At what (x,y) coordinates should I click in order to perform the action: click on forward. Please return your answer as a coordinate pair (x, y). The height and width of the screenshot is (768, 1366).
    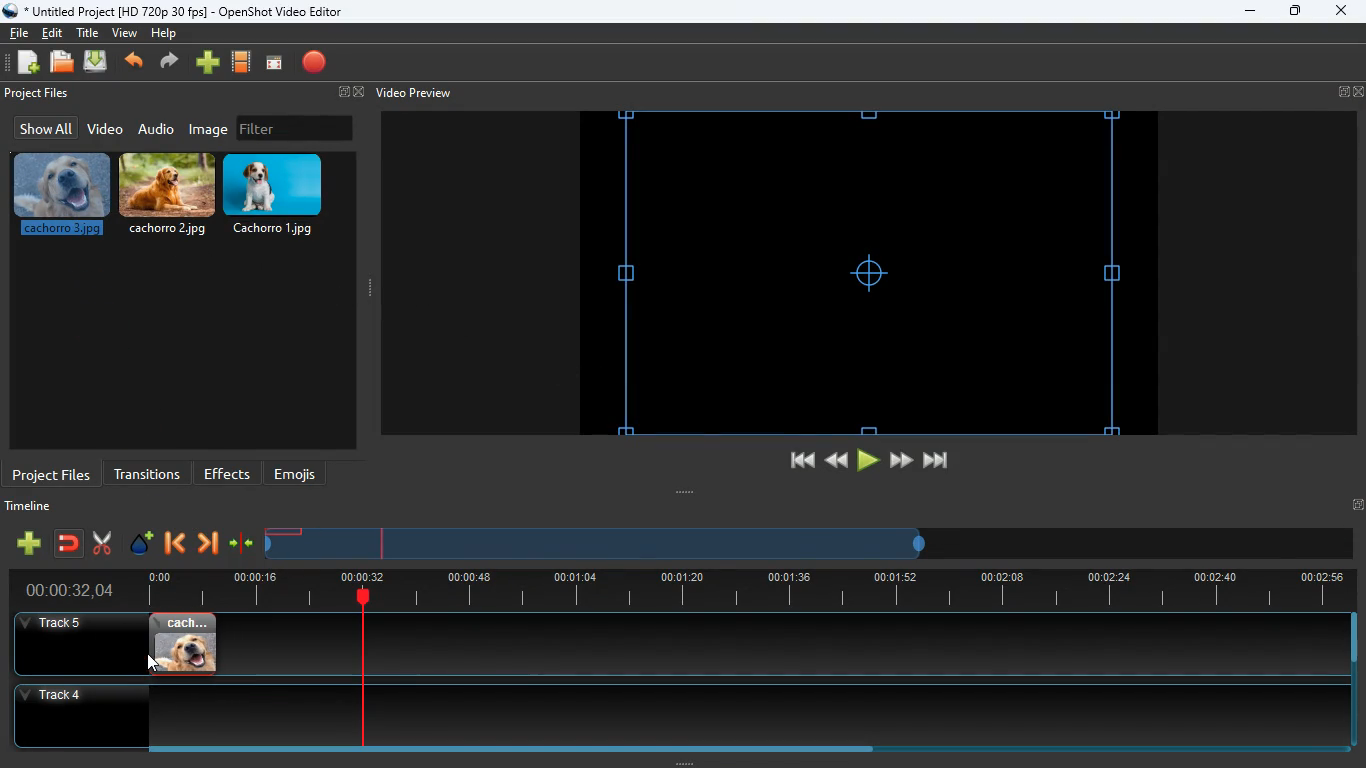
    Looking at the image, I should click on (172, 63).